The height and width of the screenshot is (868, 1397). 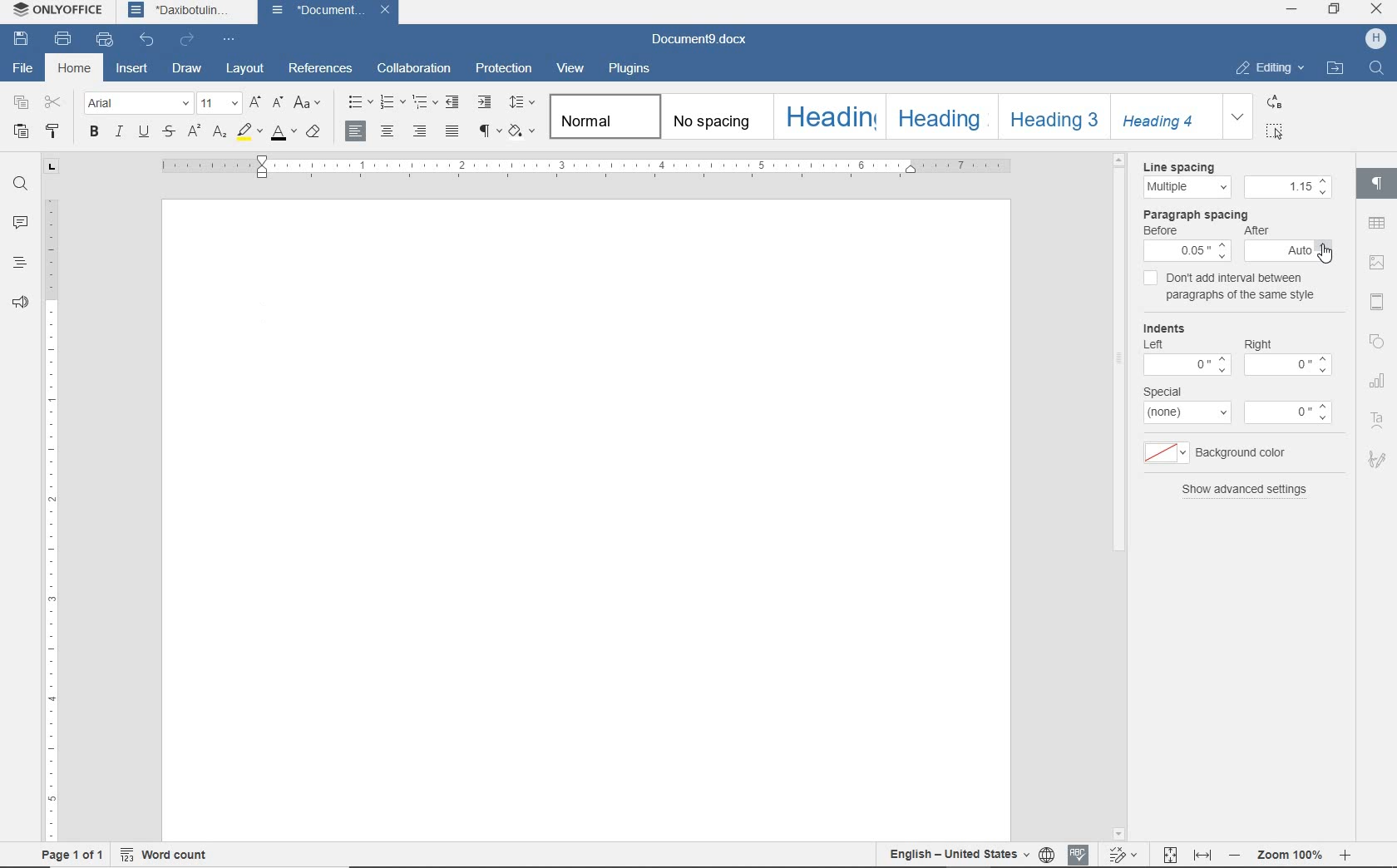 I want to click on Heading 4, so click(x=1167, y=116).